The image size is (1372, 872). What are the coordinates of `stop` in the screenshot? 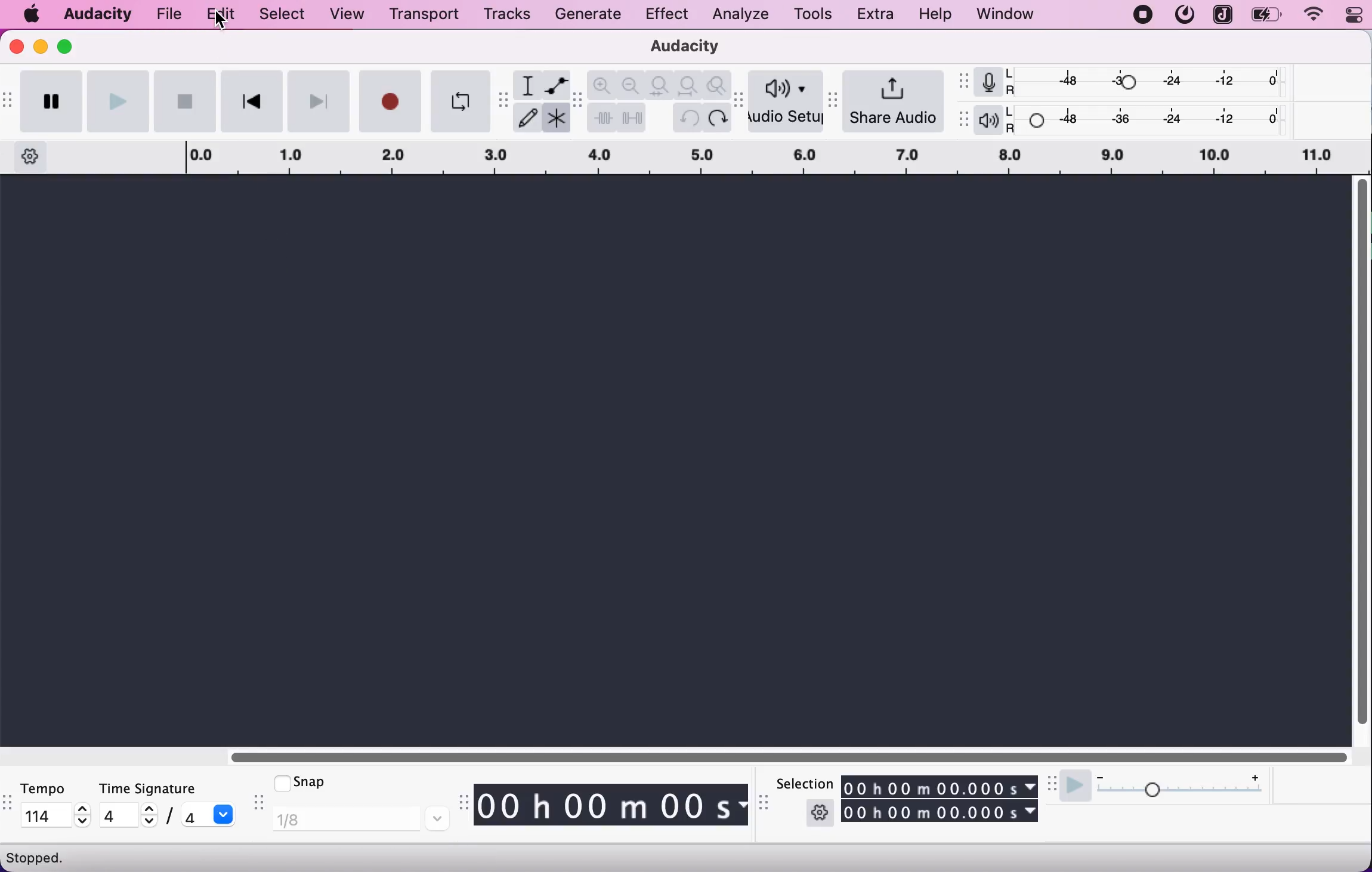 It's located at (184, 101).